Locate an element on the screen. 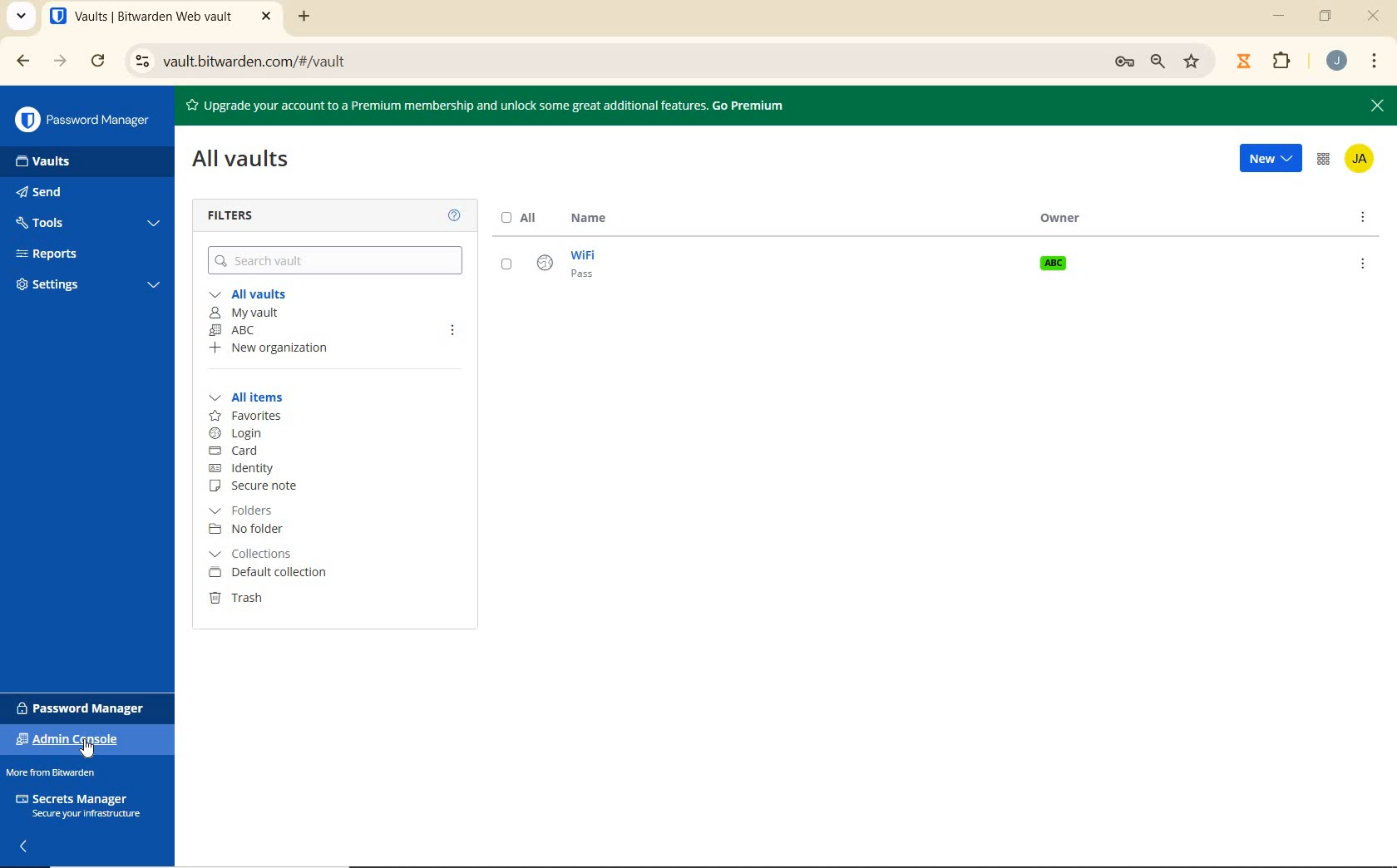 Image resolution: width=1397 pixels, height=868 pixels. CLOSE is located at coordinates (1376, 106).